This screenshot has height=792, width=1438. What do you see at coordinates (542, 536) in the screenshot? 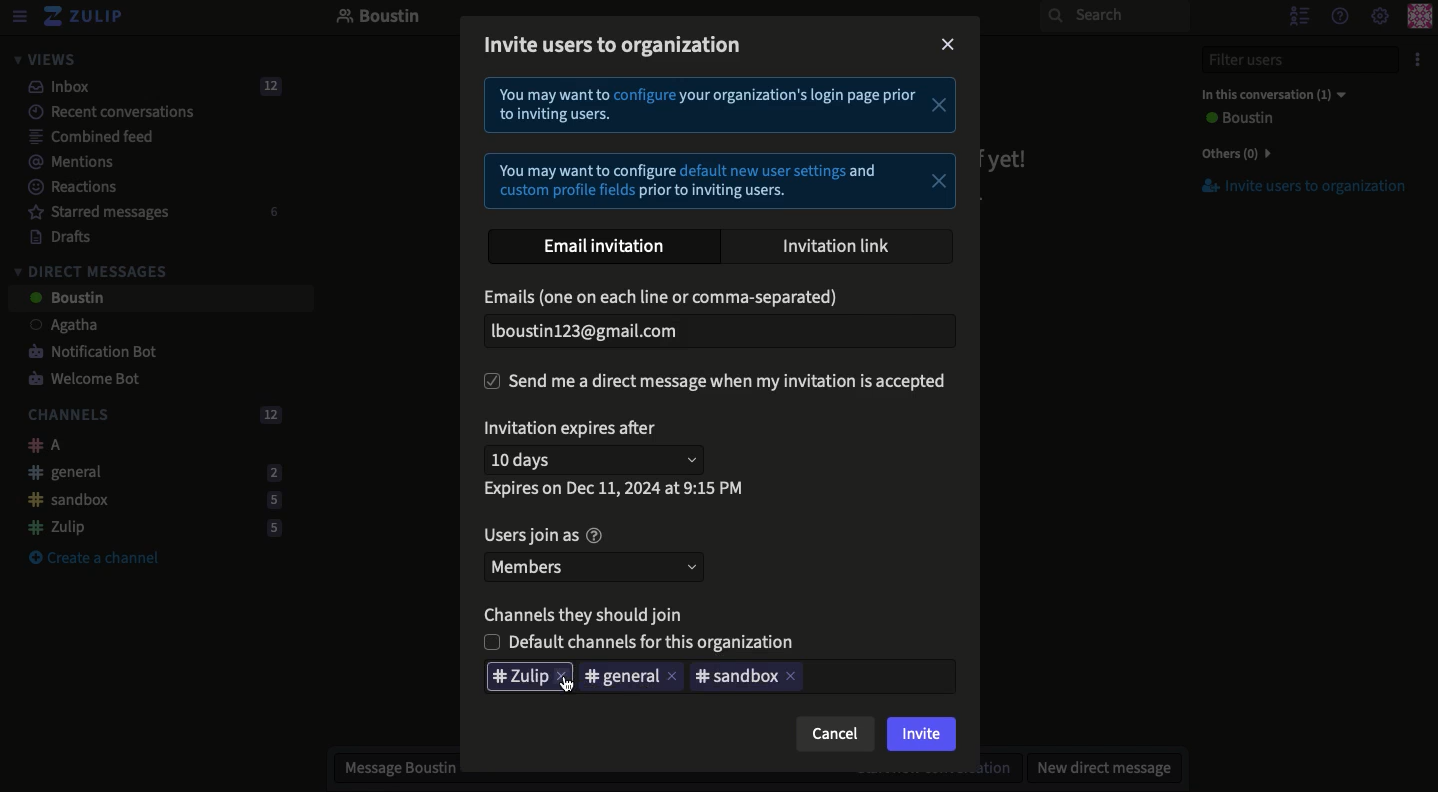
I see `Users join as` at bounding box center [542, 536].